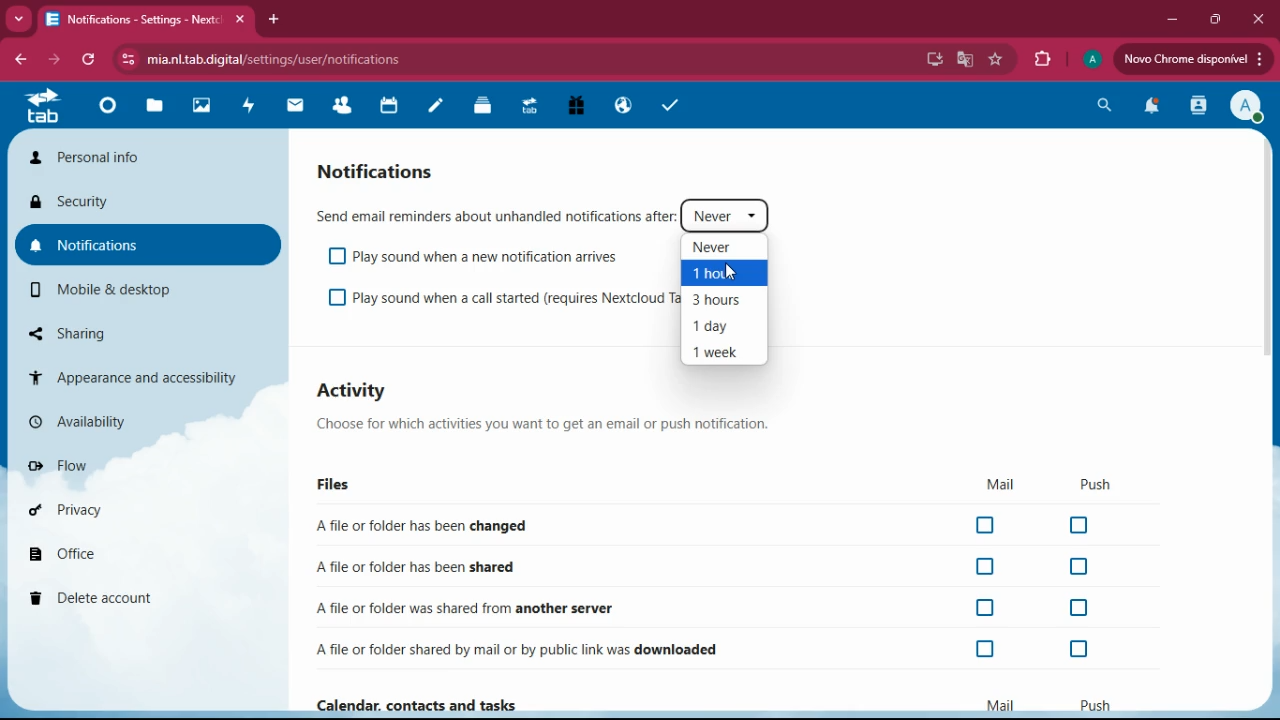  I want to click on off, so click(1078, 524).